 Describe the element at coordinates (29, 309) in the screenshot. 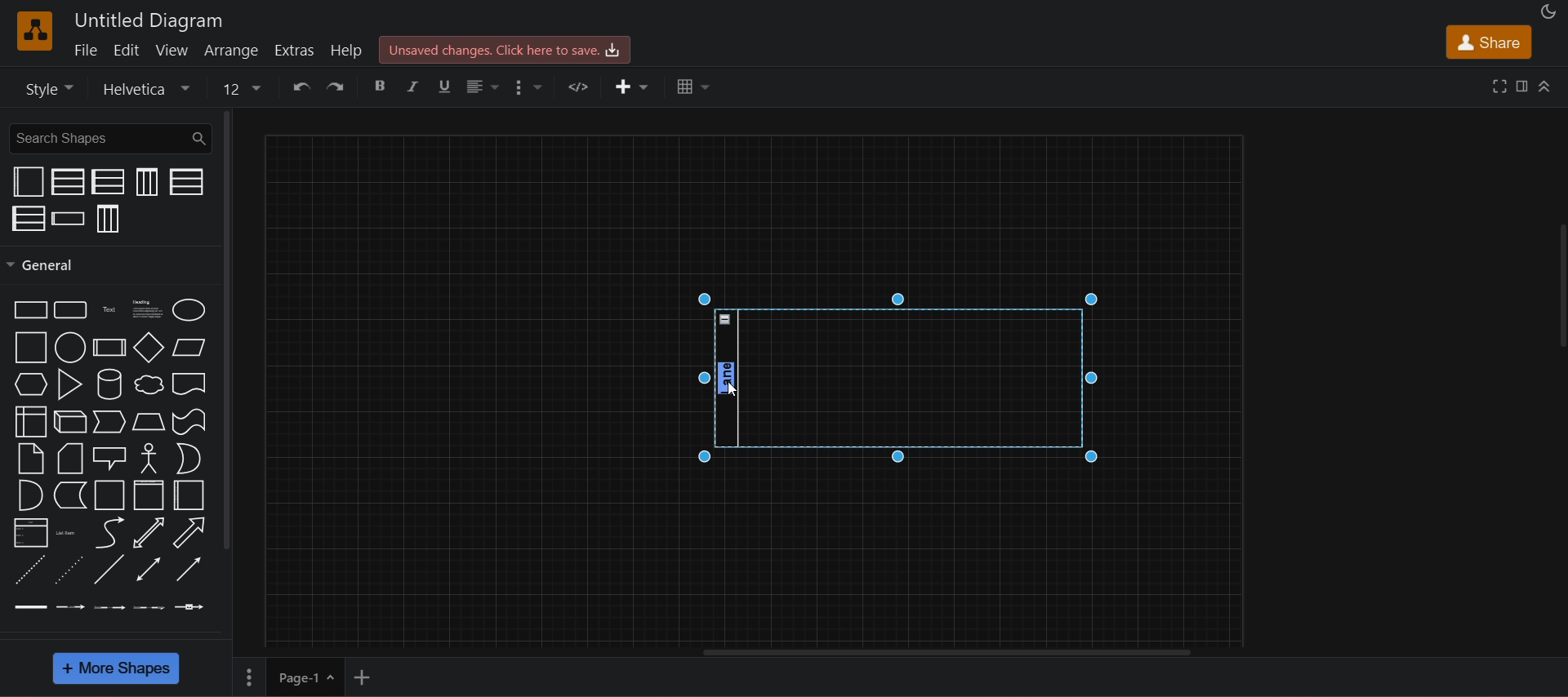

I see `rectangle` at that location.